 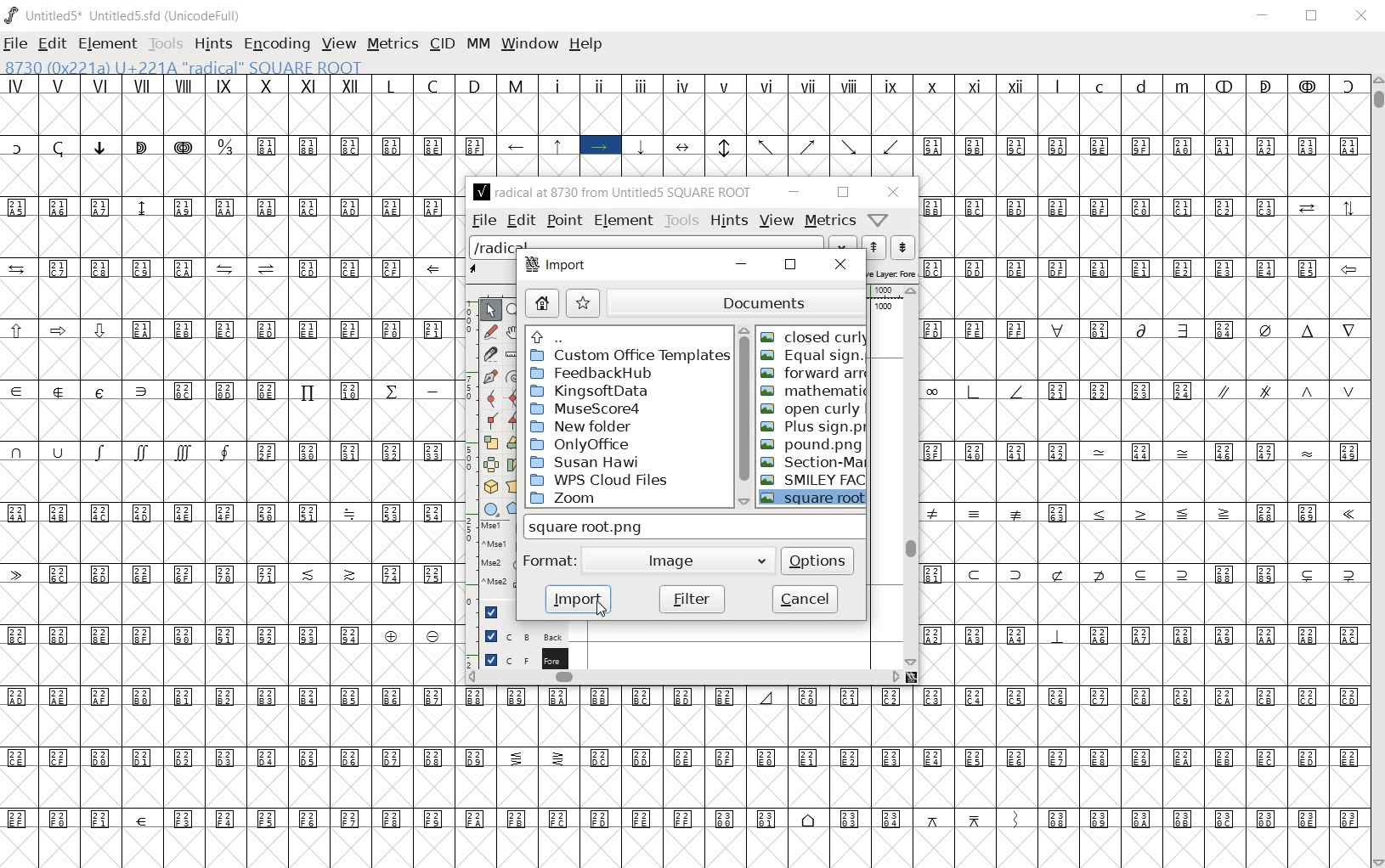 I want to click on Import, so click(x=557, y=267).